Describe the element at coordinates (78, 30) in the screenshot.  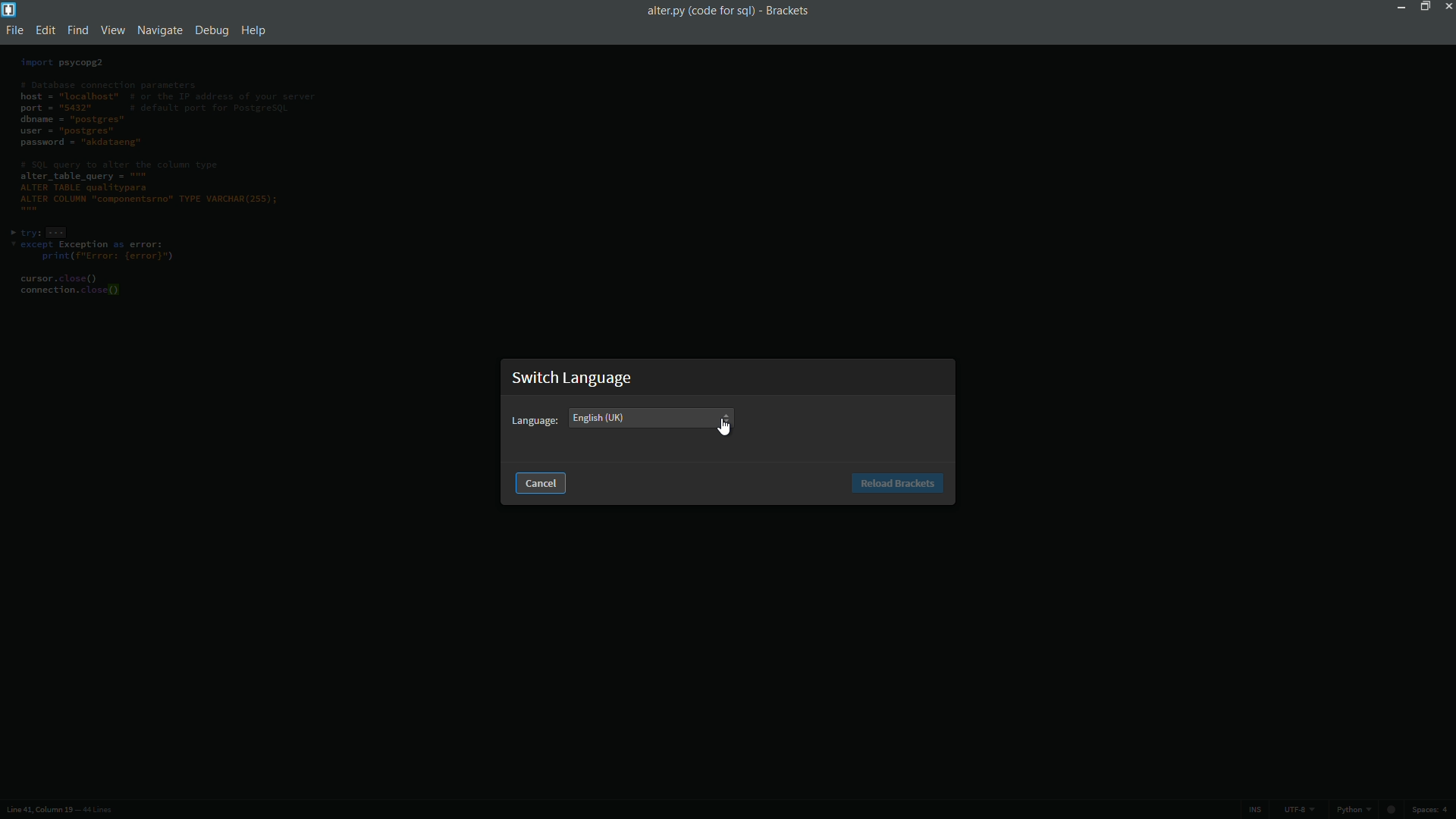
I see `find menu` at that location.